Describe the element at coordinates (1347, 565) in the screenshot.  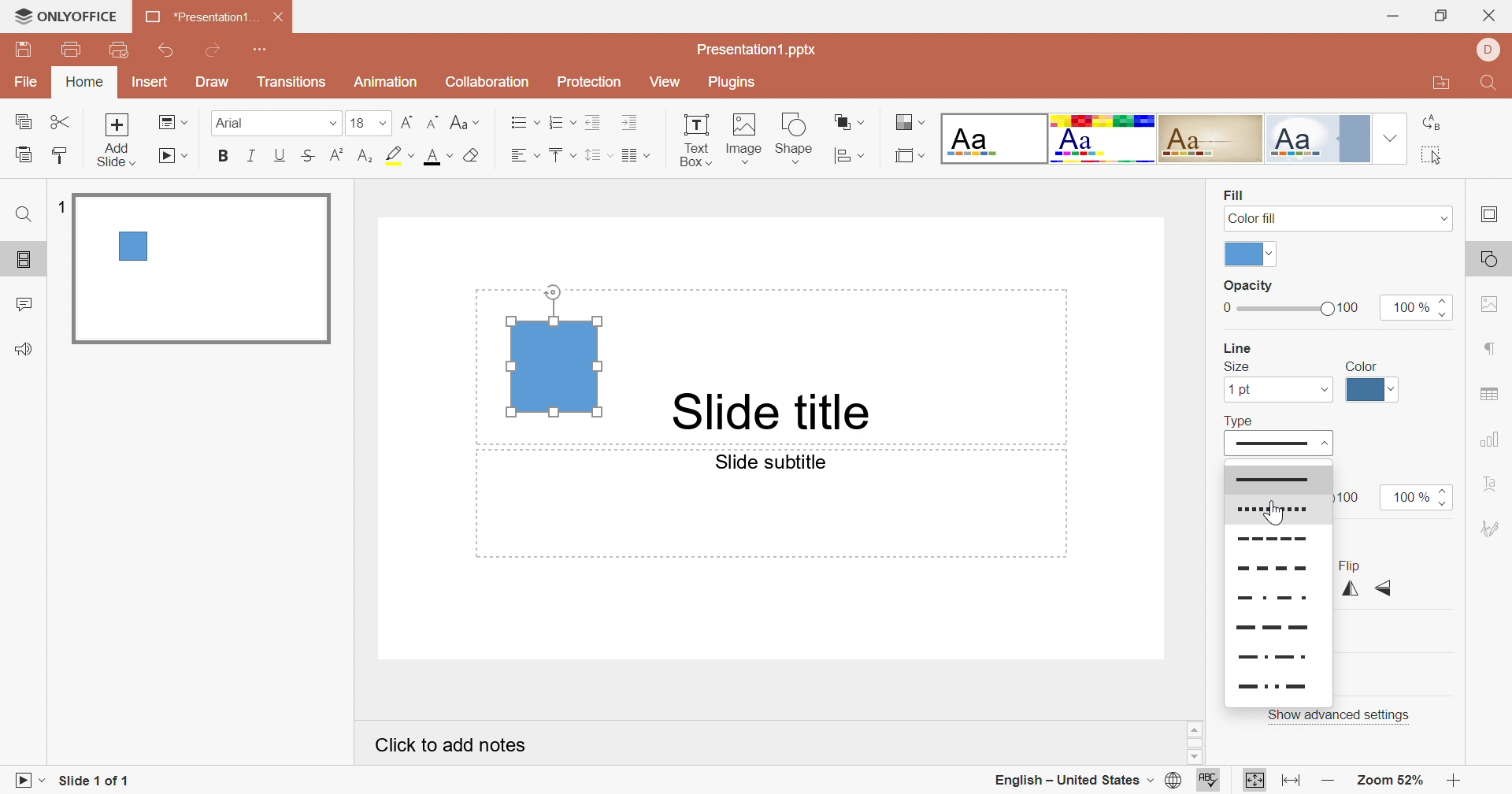
I see `Flip` at that location.